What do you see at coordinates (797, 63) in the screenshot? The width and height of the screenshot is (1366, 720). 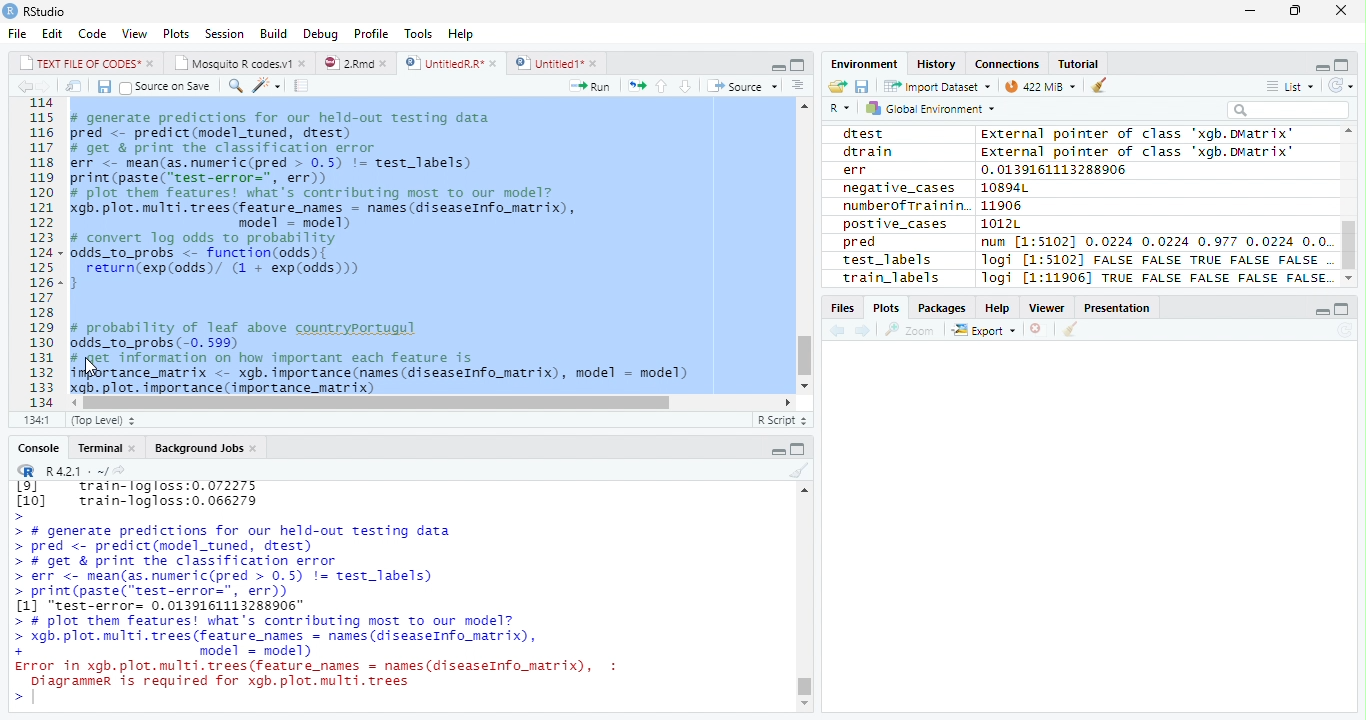 I see `Maximize` at bounding box center [797, 63].